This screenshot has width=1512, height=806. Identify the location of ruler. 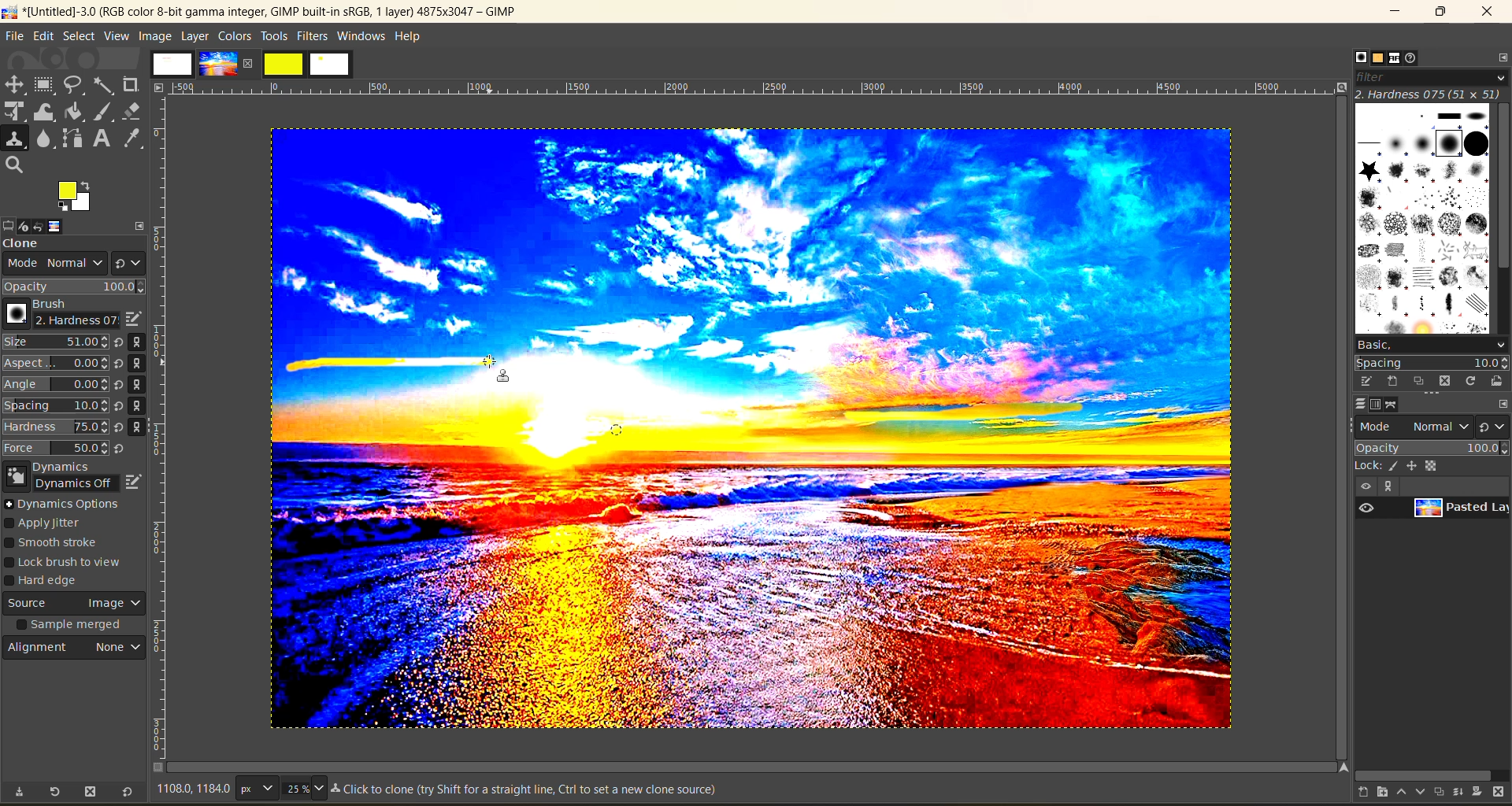
(165, 431).